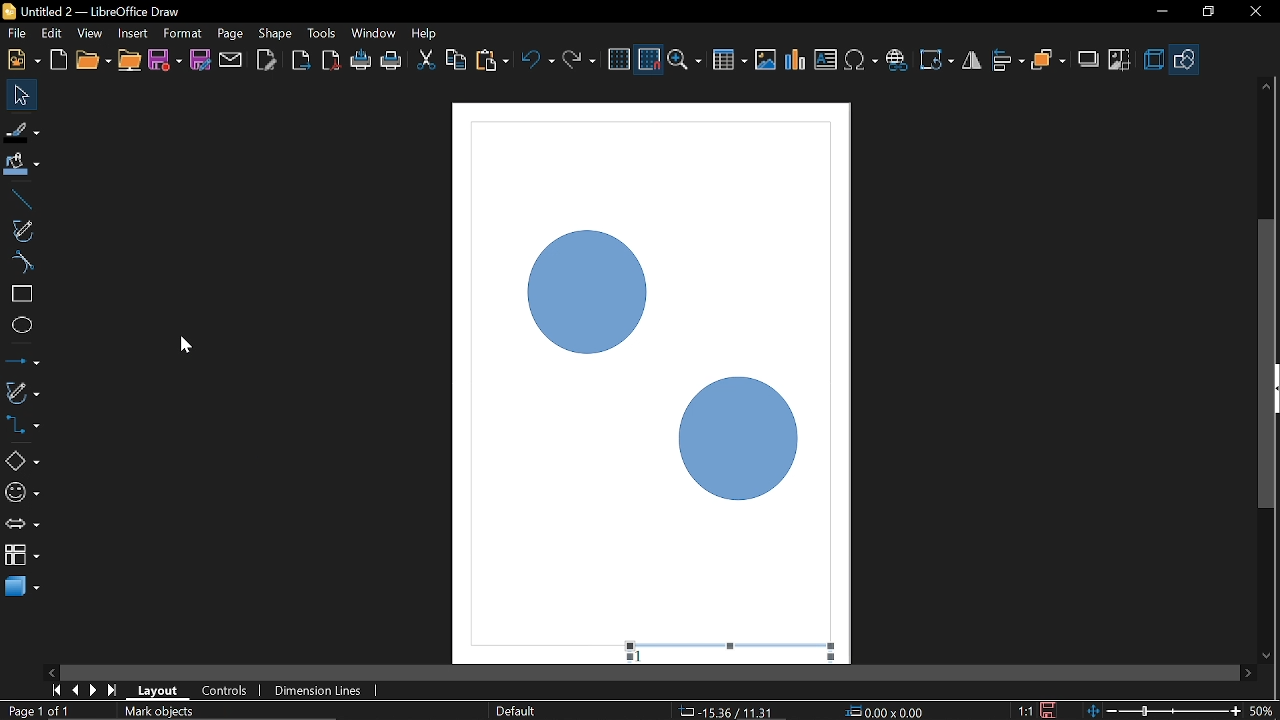 The image size is (1280, 720). What do you see at coordinates (228, 32) in the screenshot?
I see `Page` at bounding box center [228, 32].